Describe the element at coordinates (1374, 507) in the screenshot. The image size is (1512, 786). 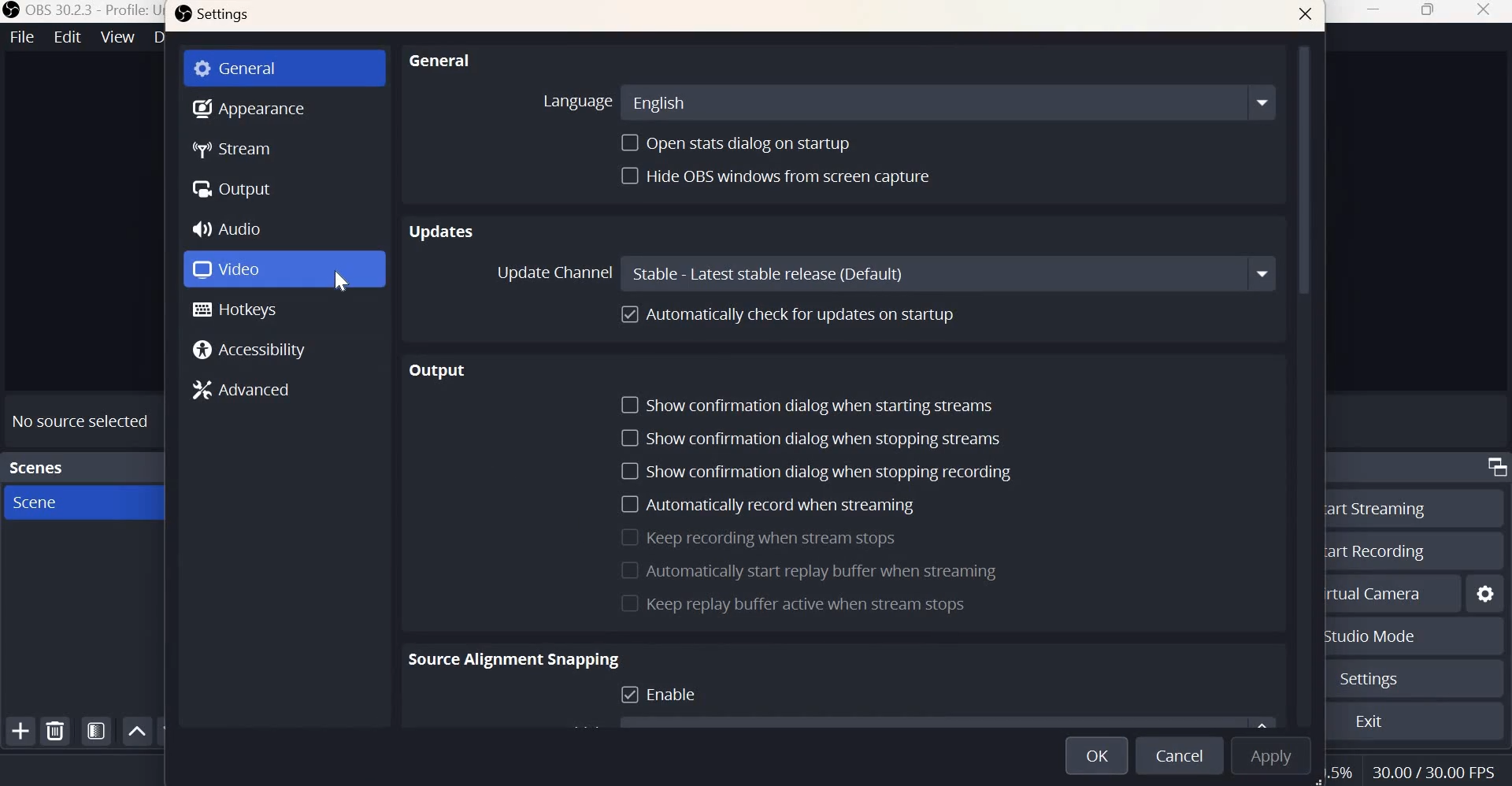
I see `Start streaming` at that location.